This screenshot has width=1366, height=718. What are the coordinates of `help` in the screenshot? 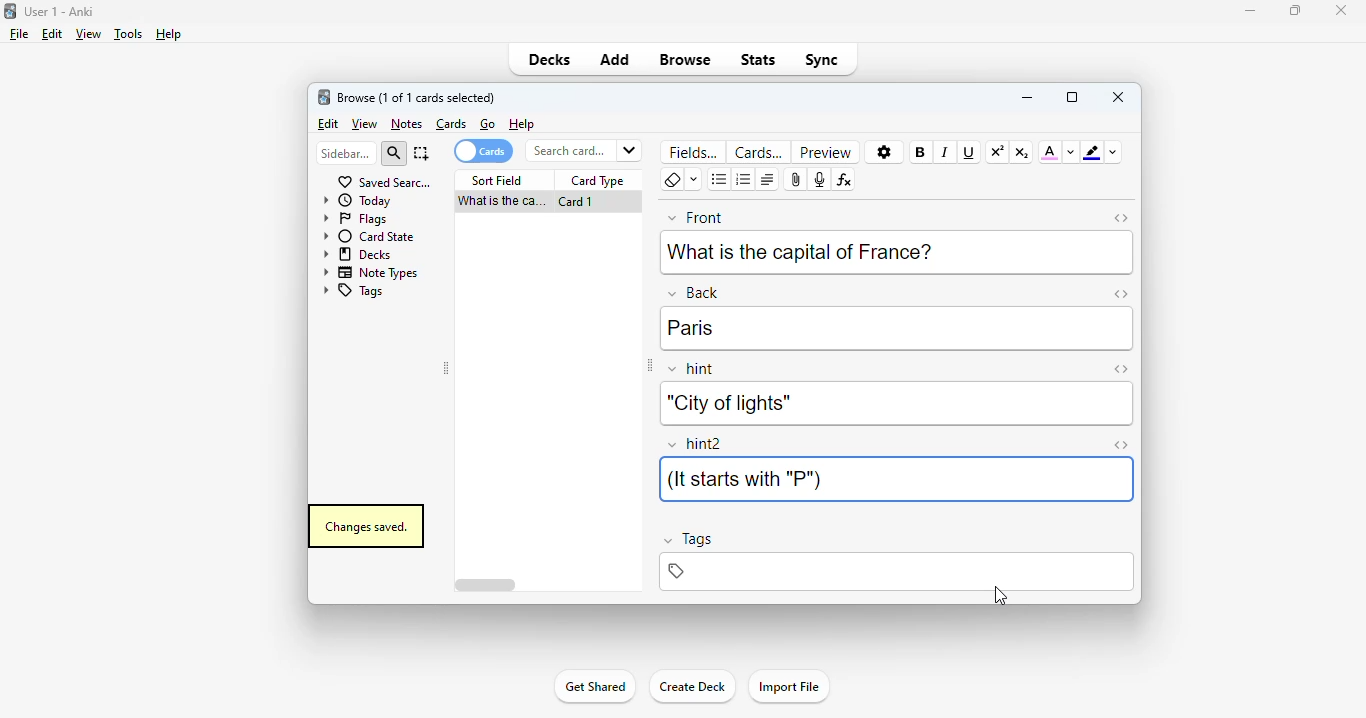 It's located at (522, 124).